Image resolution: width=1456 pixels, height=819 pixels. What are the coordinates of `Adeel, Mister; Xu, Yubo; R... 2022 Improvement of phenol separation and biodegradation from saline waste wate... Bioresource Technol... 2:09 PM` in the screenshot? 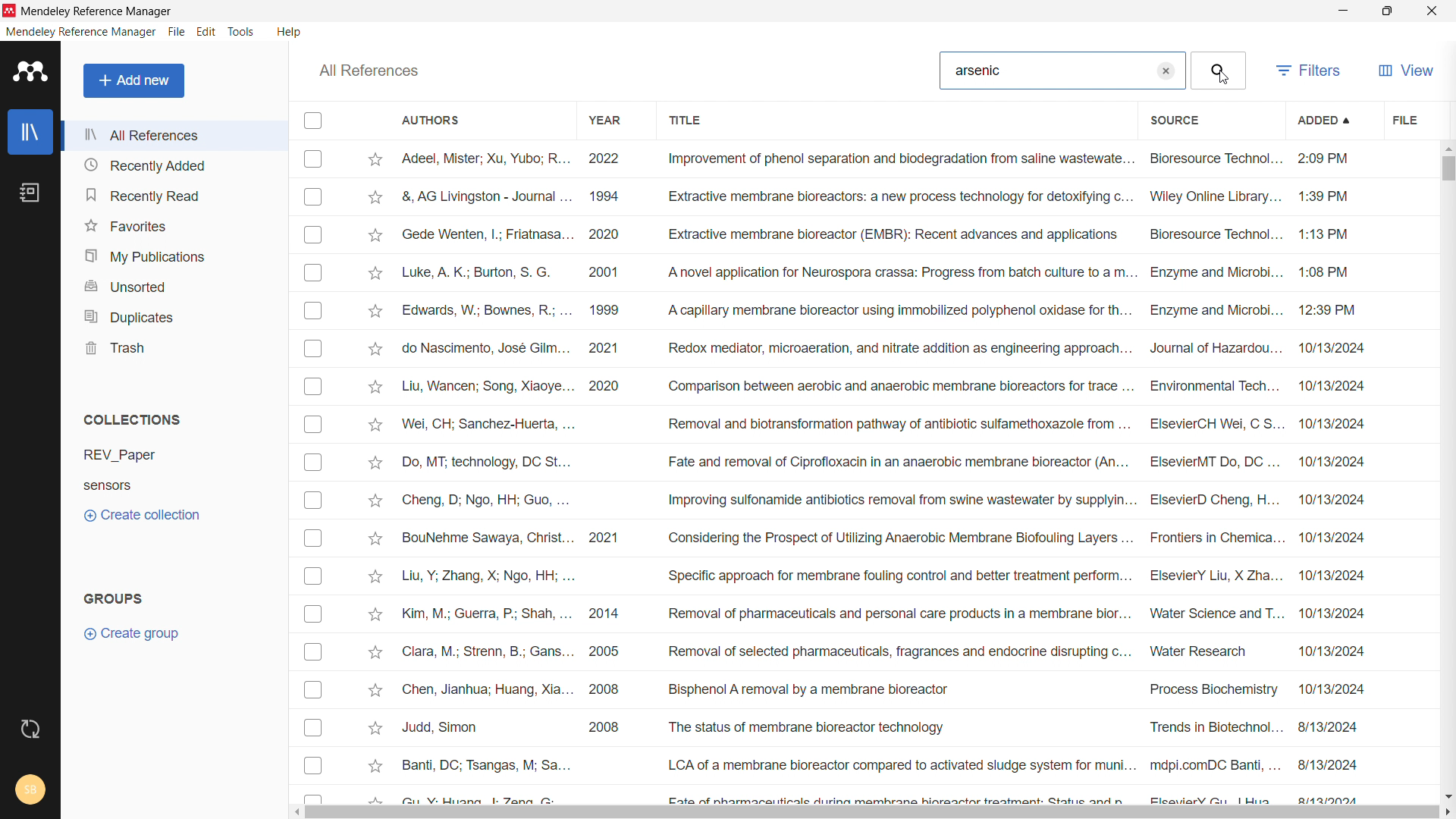 It's located at (902, 162).